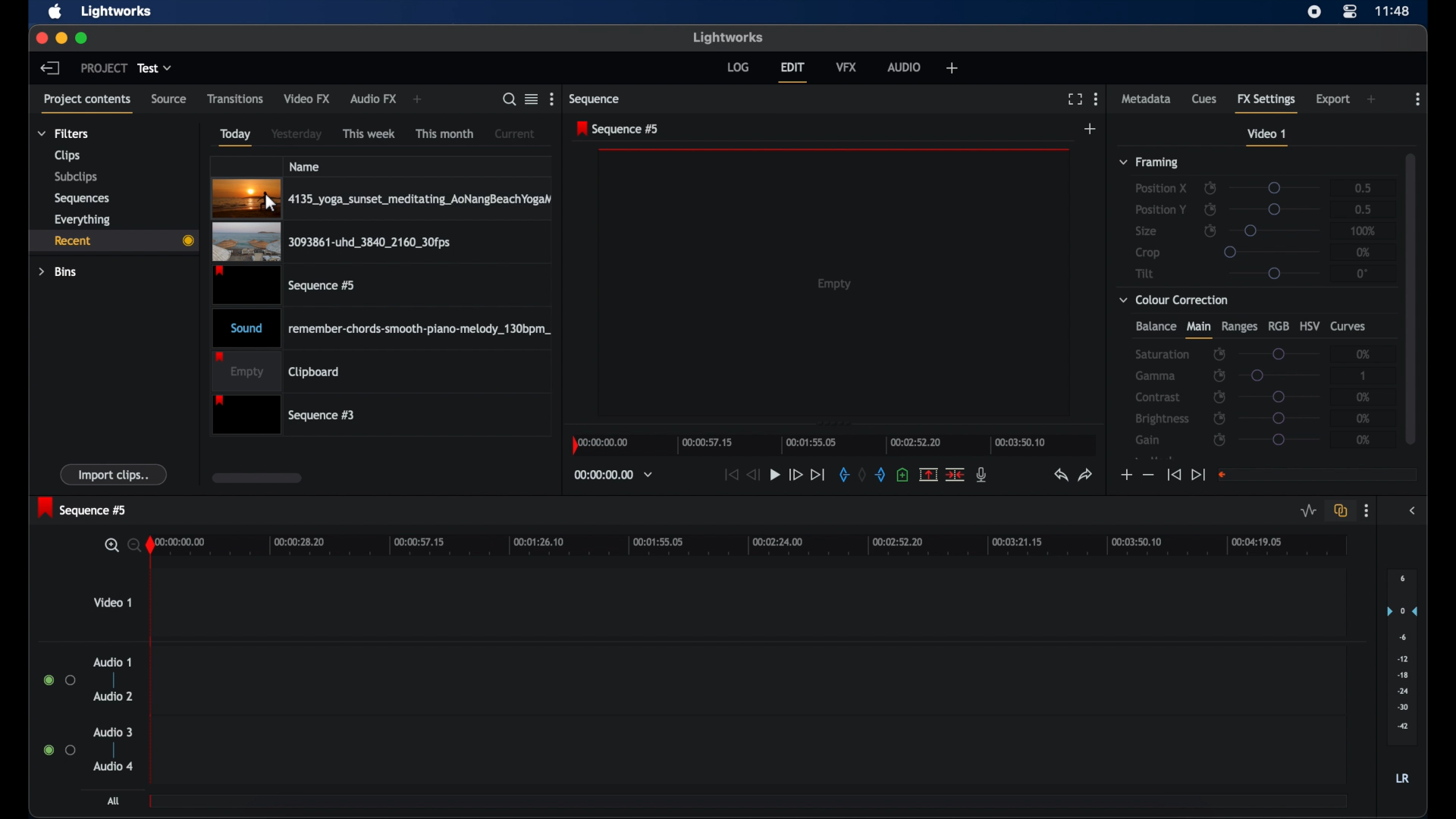 Image resolution: width=1456 pixels, height=819 pixels. Describe the element at coordinates (1418, 99) in the screenshot. I see `more options` at that location.